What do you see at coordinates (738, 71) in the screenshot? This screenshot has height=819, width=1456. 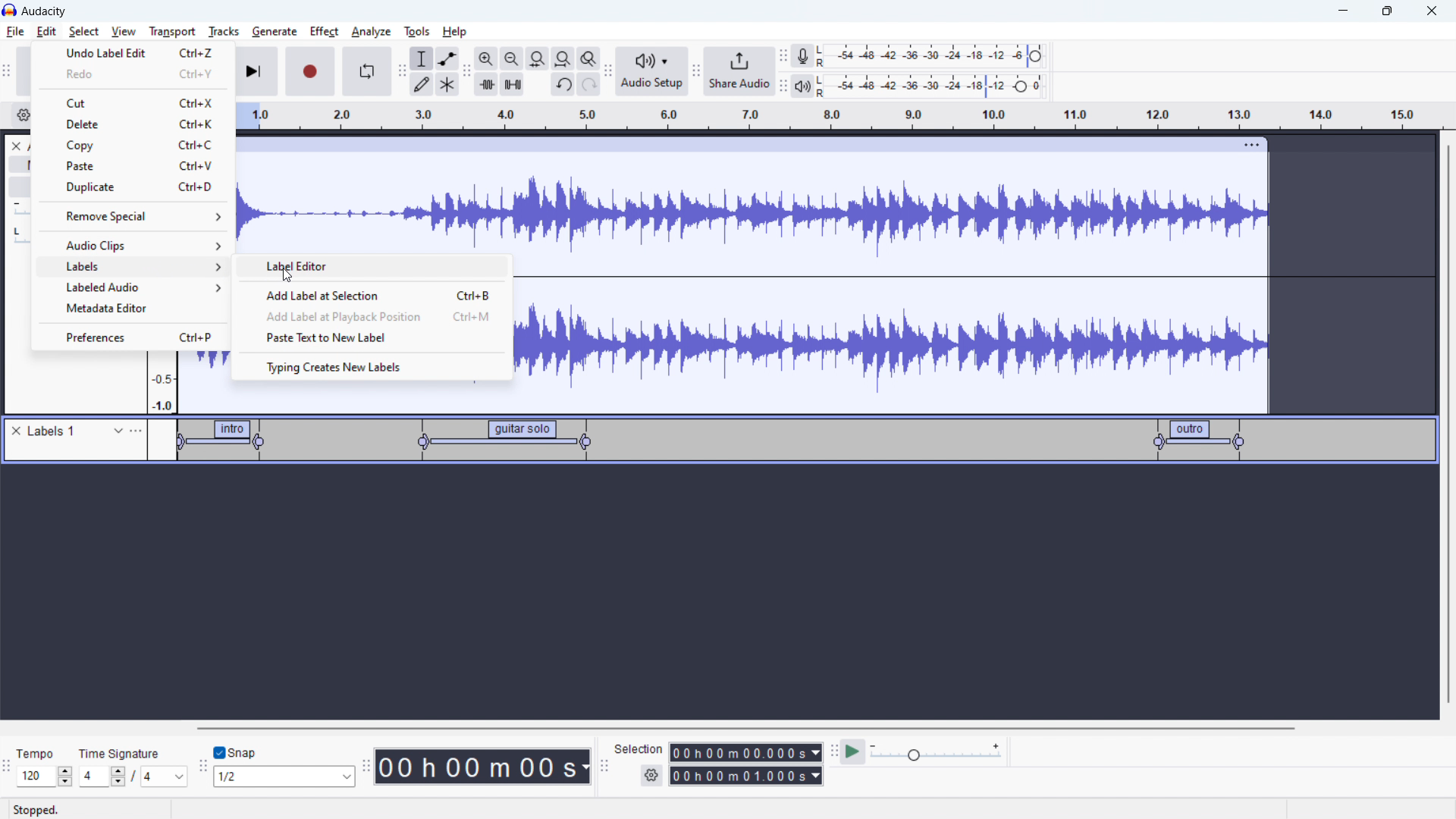 I see `share audio` at bounding box center [738, 71].